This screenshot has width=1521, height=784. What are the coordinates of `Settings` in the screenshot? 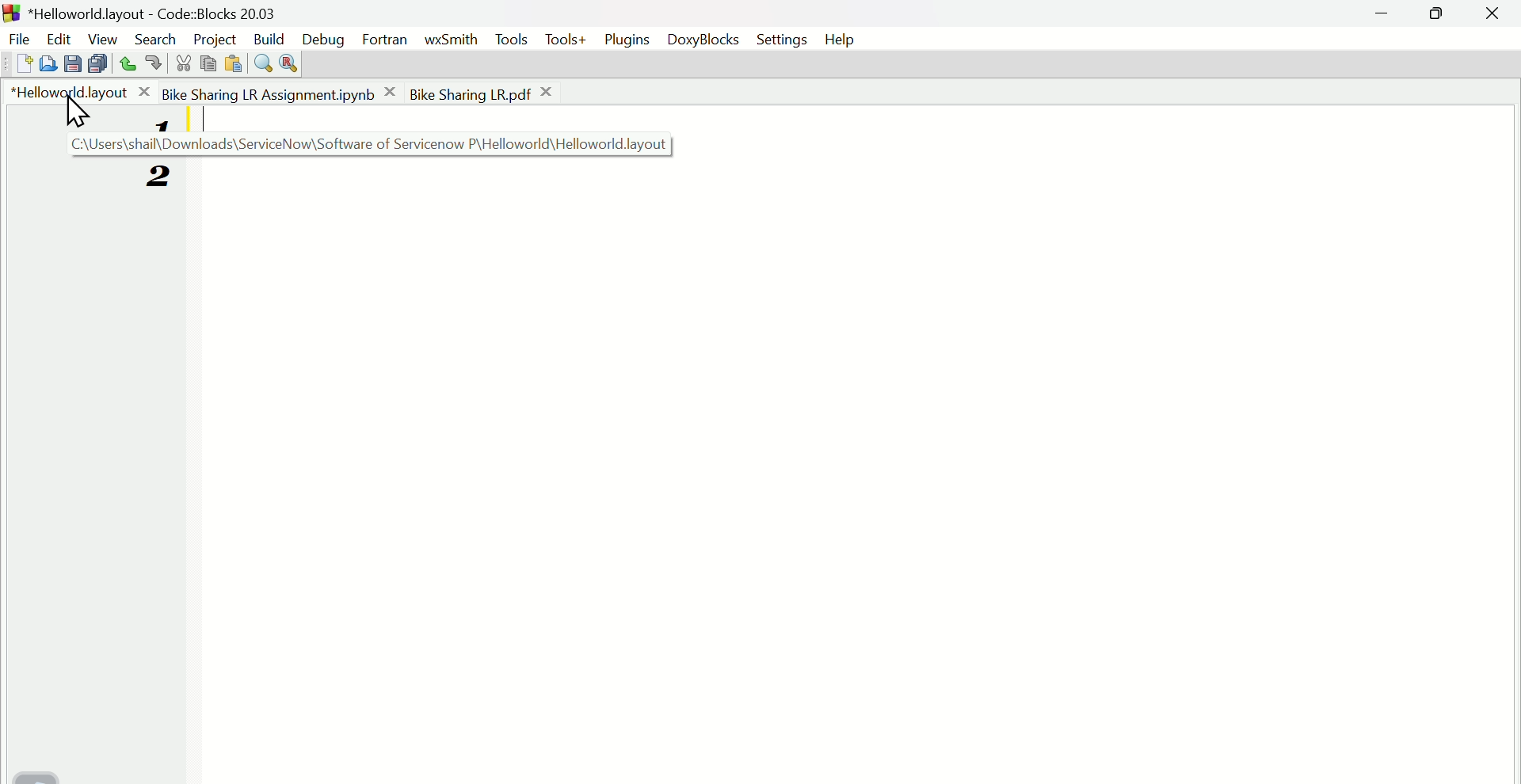 It's located at (783, 41).